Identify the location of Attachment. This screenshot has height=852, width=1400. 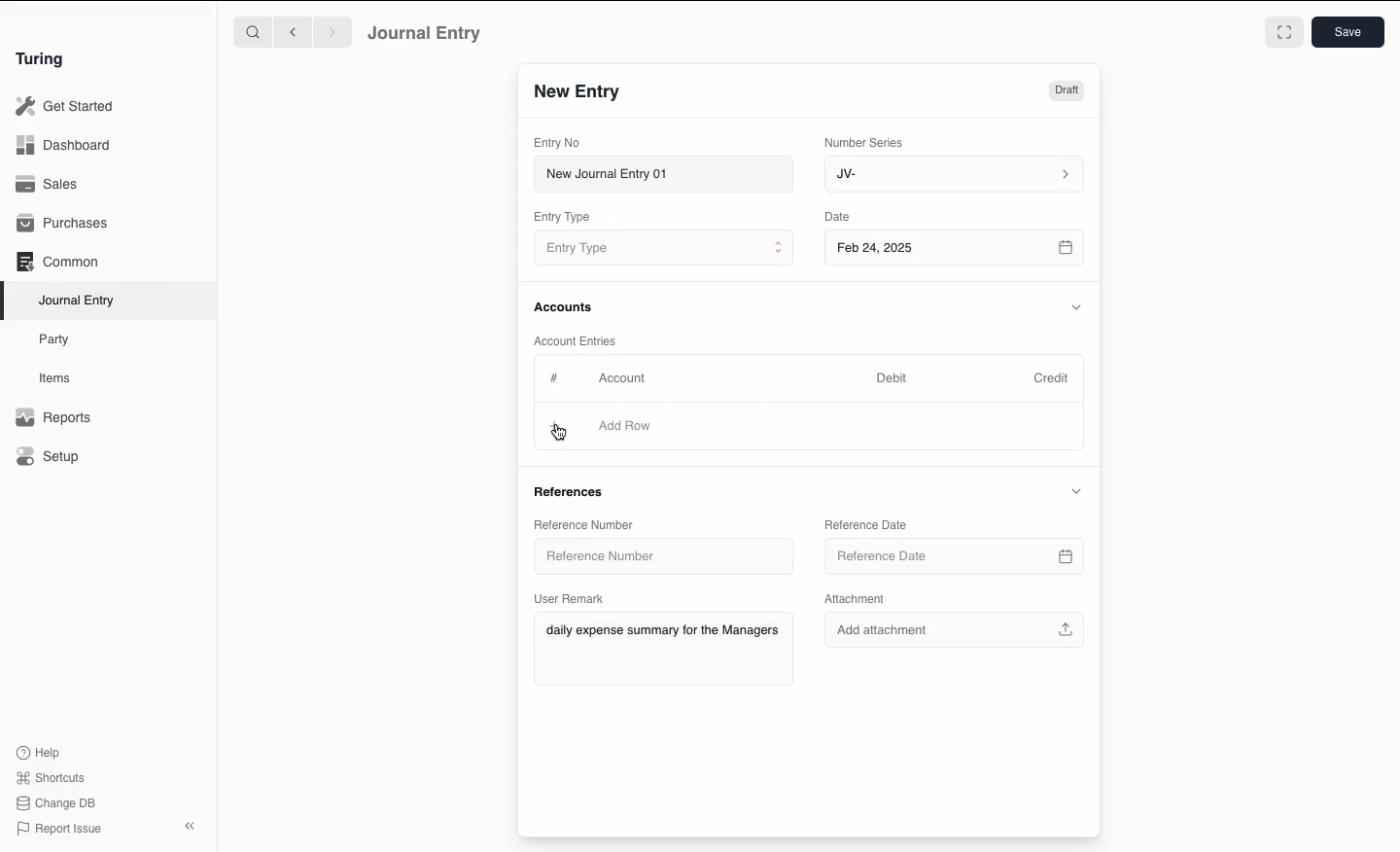
(857, 598).